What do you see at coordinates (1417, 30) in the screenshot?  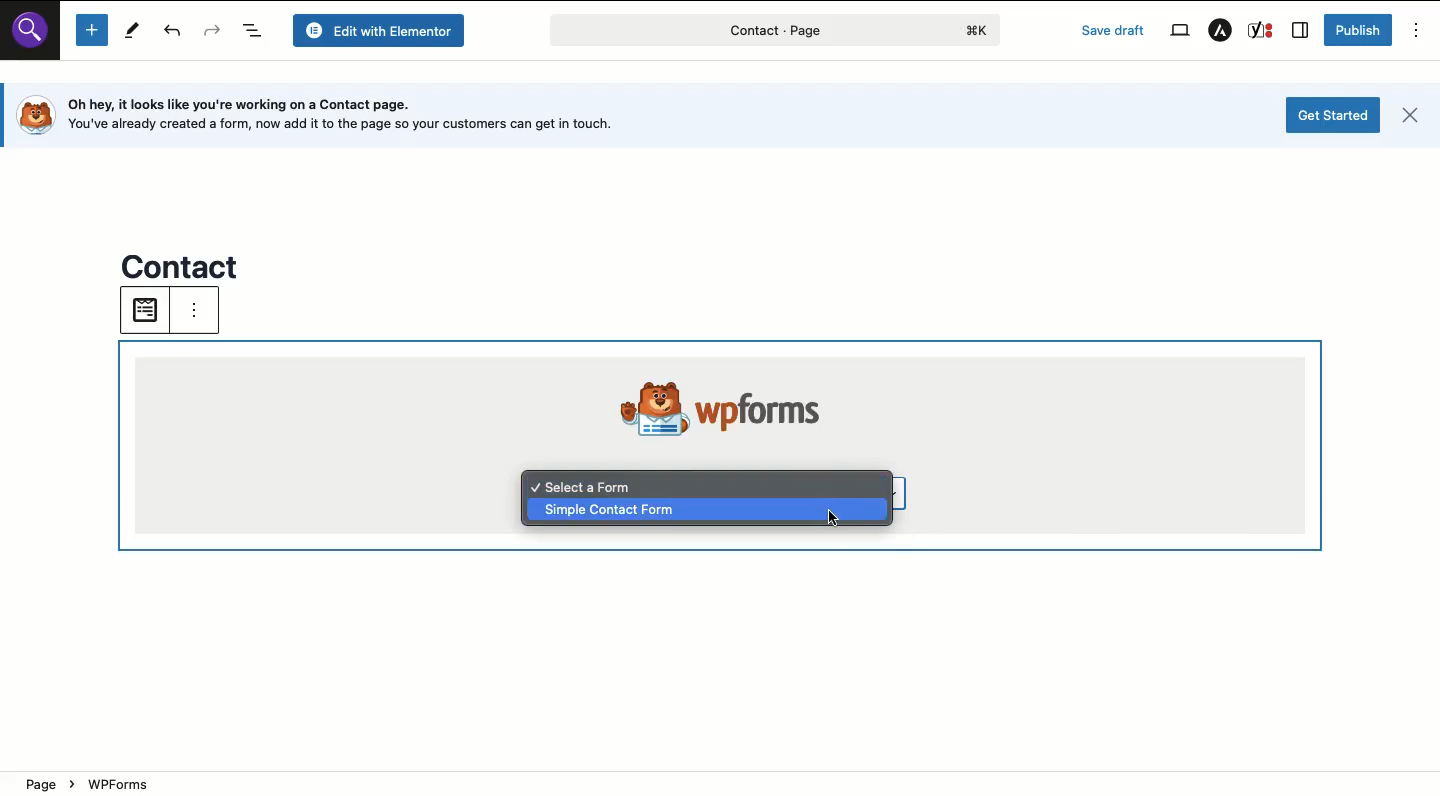 I see `Options` at bounding box center [1417, 30].